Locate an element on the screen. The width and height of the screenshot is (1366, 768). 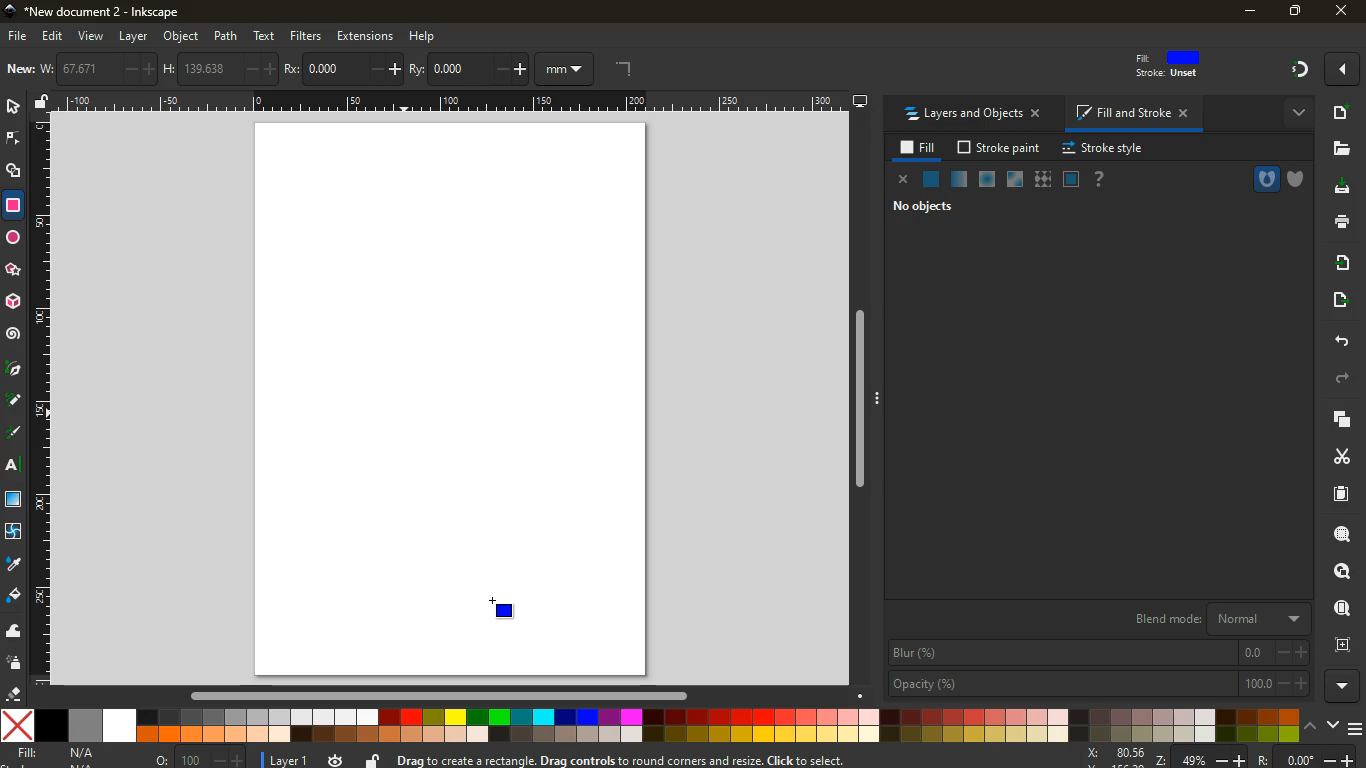
ice is located at coordinates (987, 178).